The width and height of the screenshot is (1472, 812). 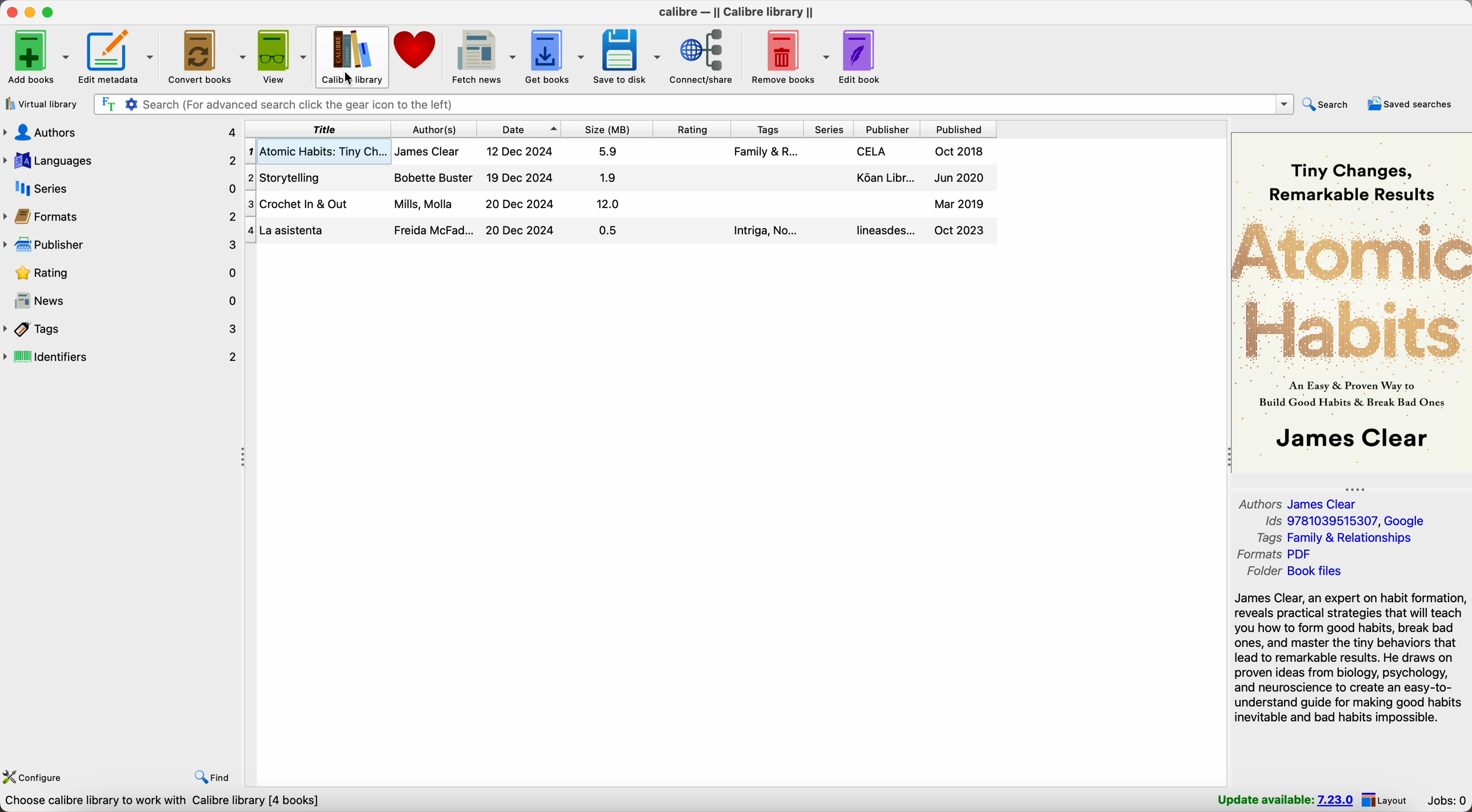 I want to click on search, so click(x=1329, y=105).